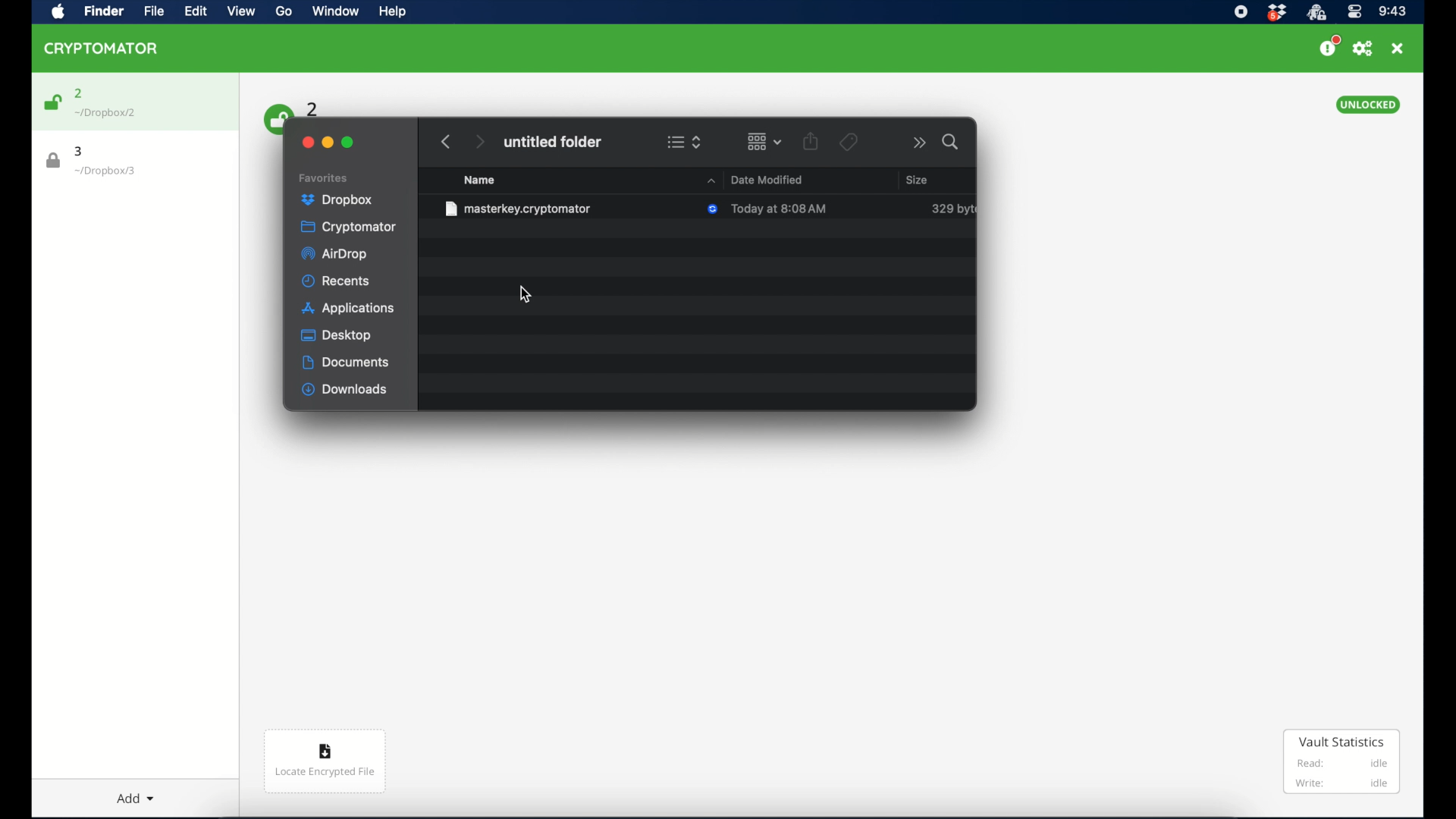 This screenshot has height=819, width=1456. Describe the element at coordinates (324, 178) in the screenshot. I see `favorites` at that location.